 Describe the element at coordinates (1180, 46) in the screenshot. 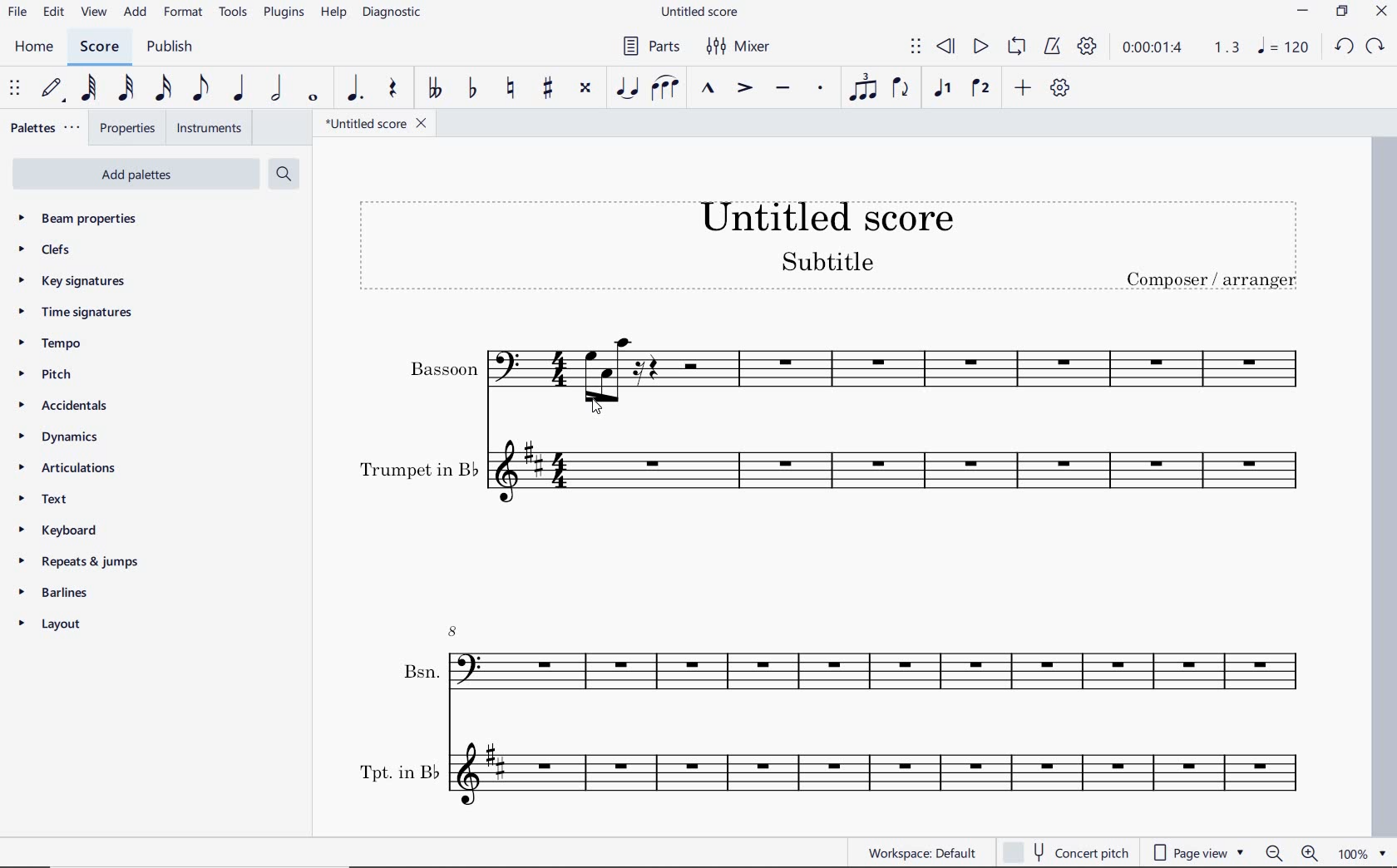

I see `Play time` at that location.